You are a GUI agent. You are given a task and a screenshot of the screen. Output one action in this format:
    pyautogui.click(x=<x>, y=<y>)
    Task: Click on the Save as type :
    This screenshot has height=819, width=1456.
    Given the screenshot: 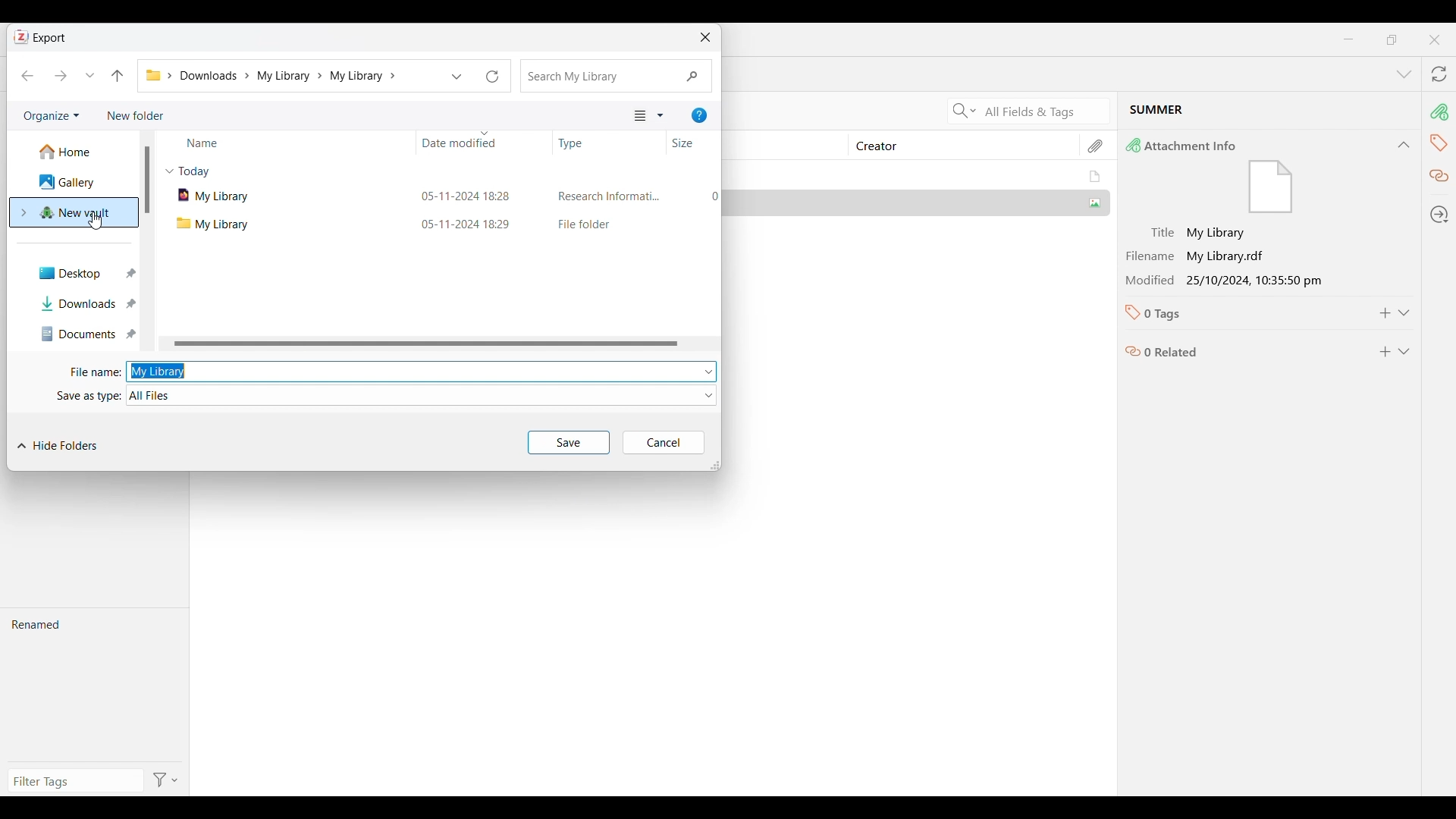 What is the action you would take?
    pyautogui.click(x=88, y=395)
    